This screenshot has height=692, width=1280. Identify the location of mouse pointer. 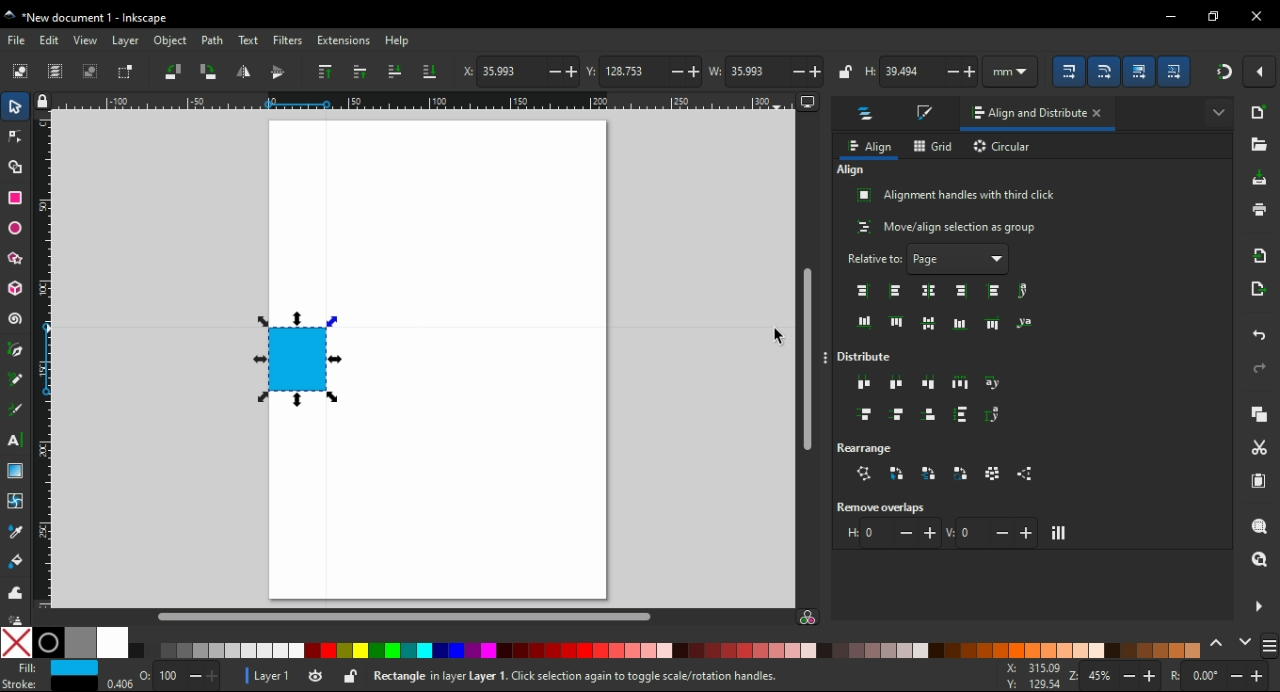
(780, 337).